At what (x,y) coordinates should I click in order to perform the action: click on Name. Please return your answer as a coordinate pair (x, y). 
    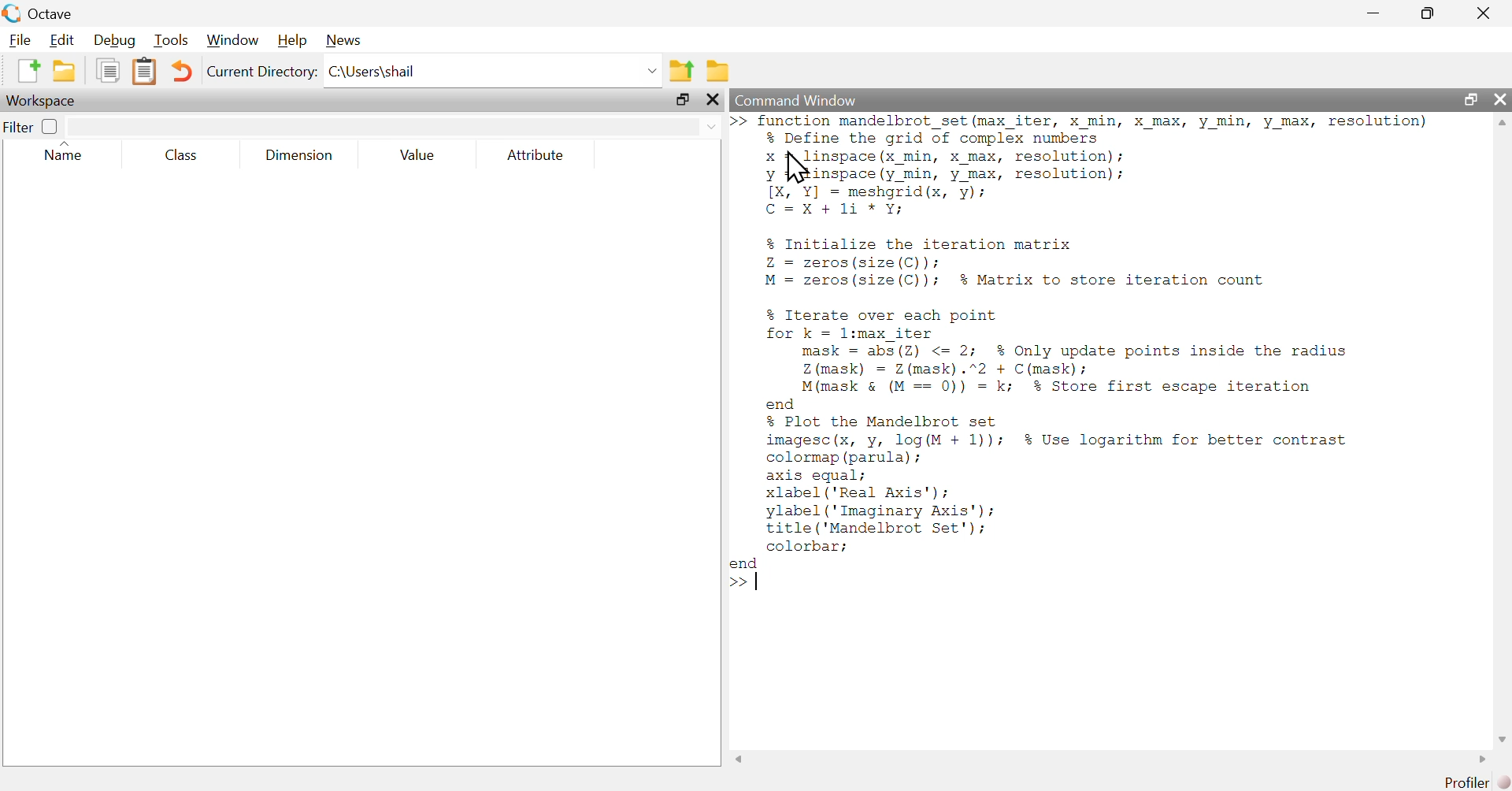
    Looking at the image, I should click on (71, 153).